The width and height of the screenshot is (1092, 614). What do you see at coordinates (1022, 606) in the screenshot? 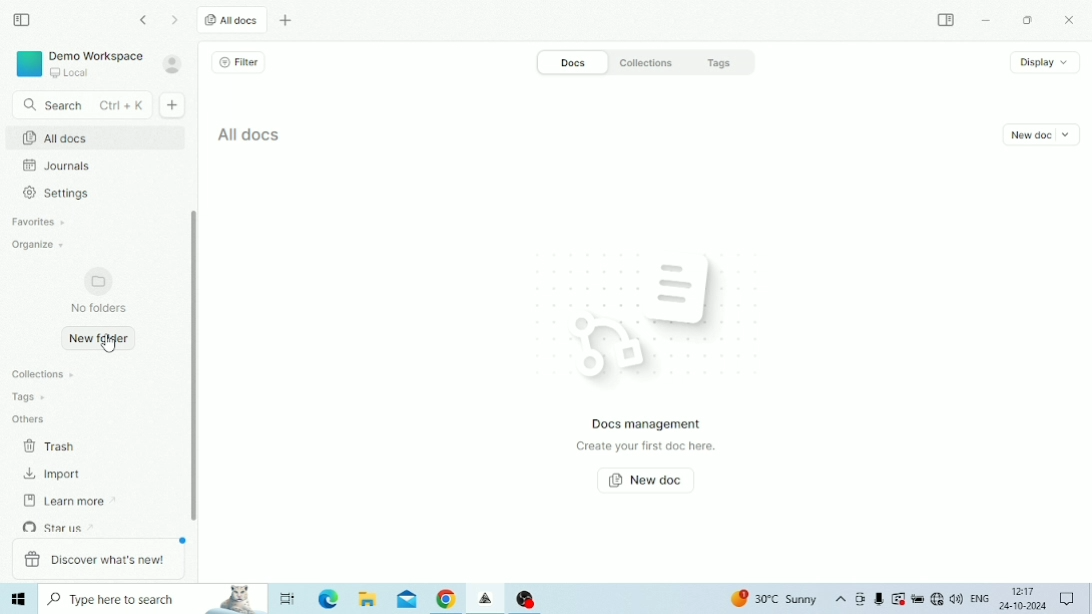
I see `Date` at bounding box center [1022, 606].